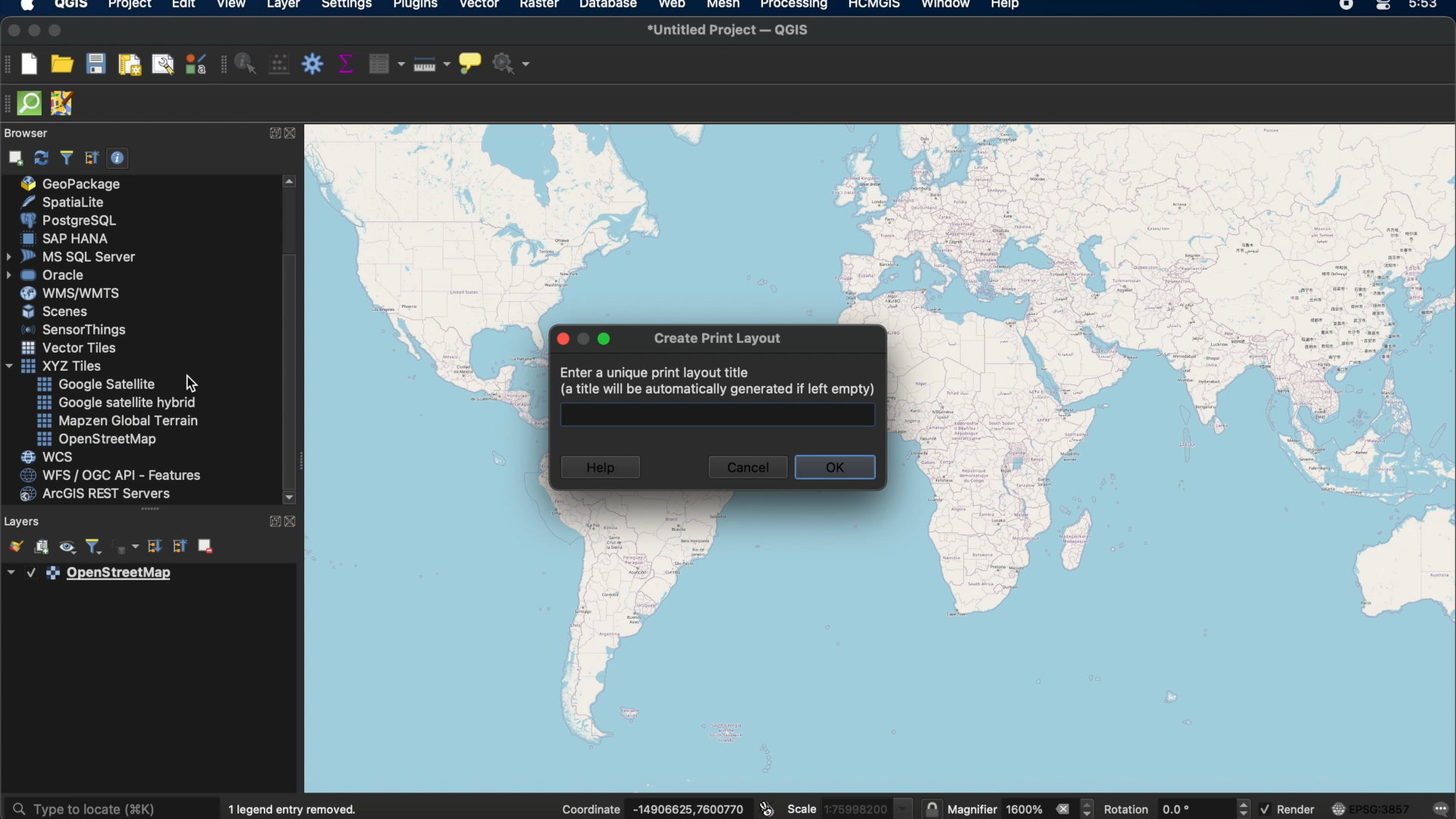 The width and height of the screenshot is (1456, 819). I want to click on new print layout, so click(130, 65).